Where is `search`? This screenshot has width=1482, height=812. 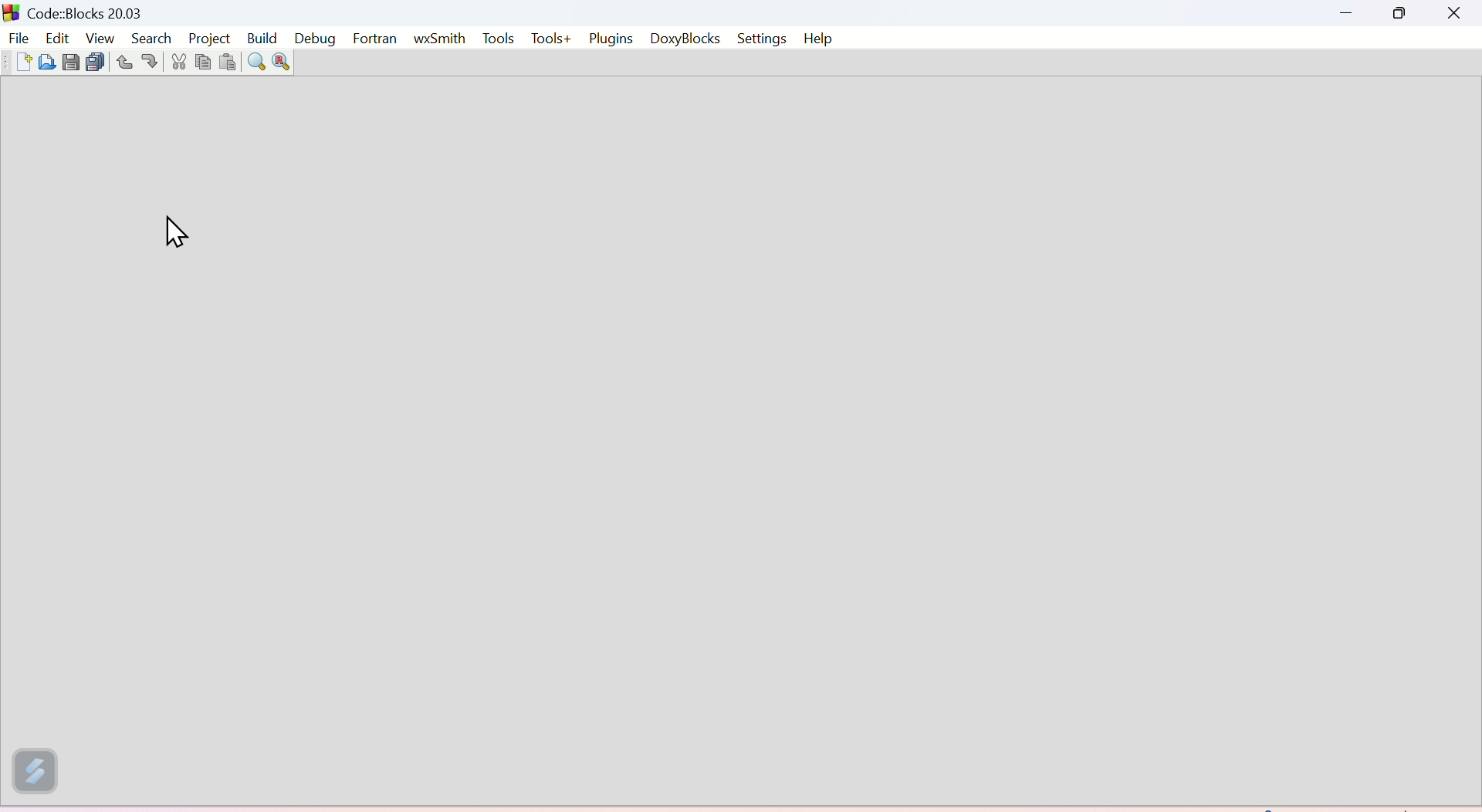 search is located at coordinates (254, 63).